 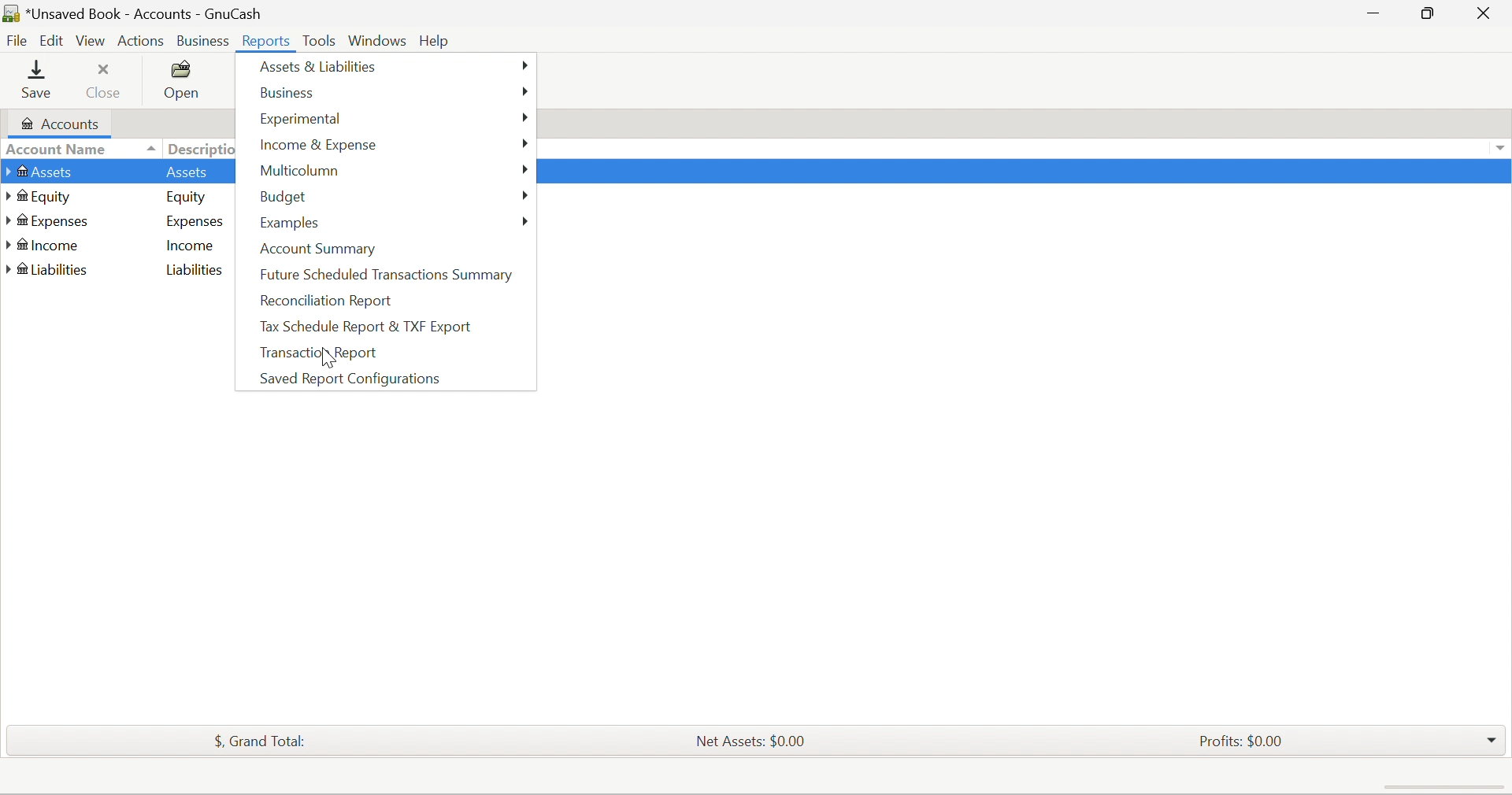 I want to click on Open, so click(x=183, y=84).